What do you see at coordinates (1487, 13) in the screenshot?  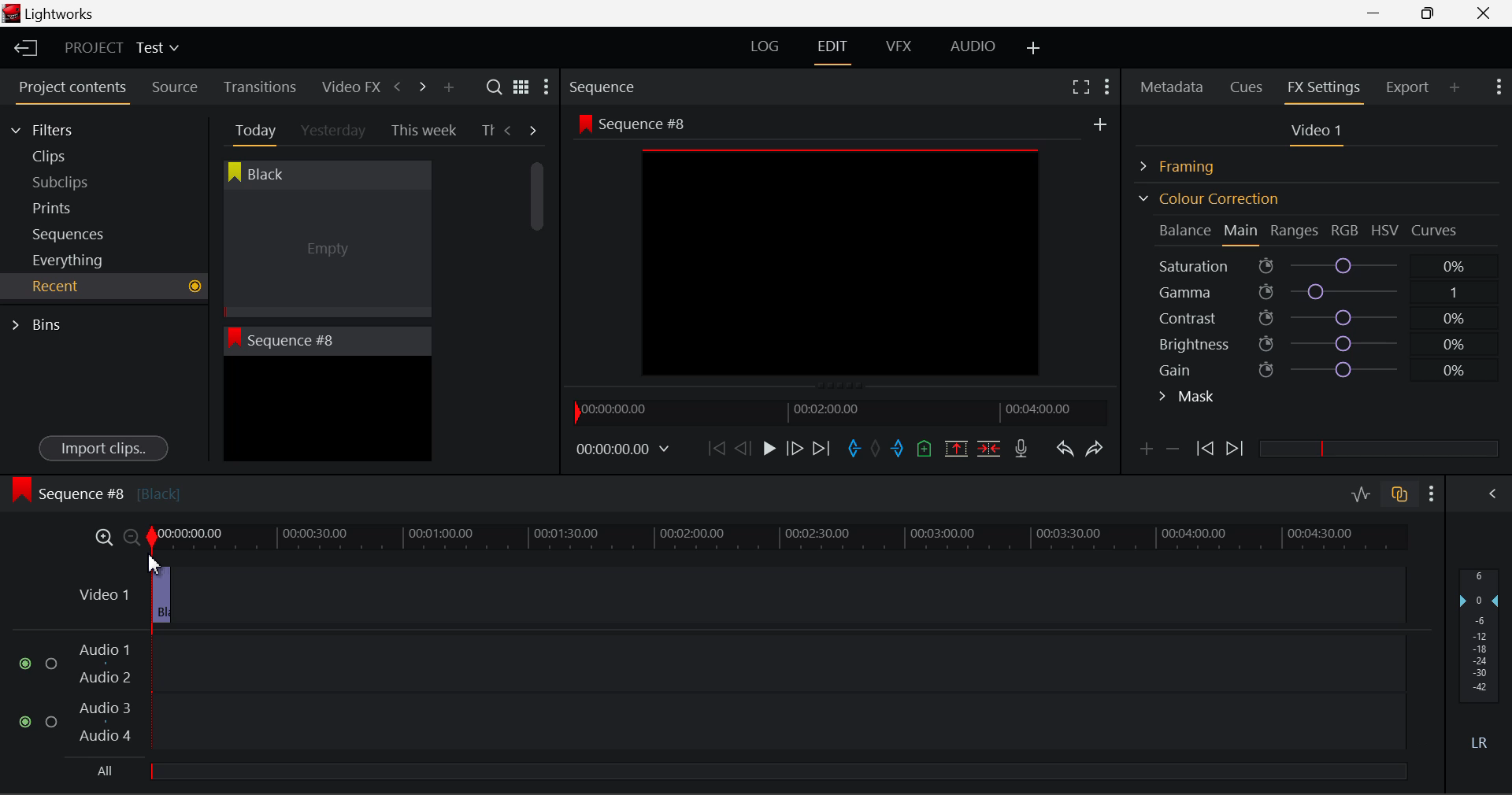 I see `Close` at bounding box center [1487, 13].